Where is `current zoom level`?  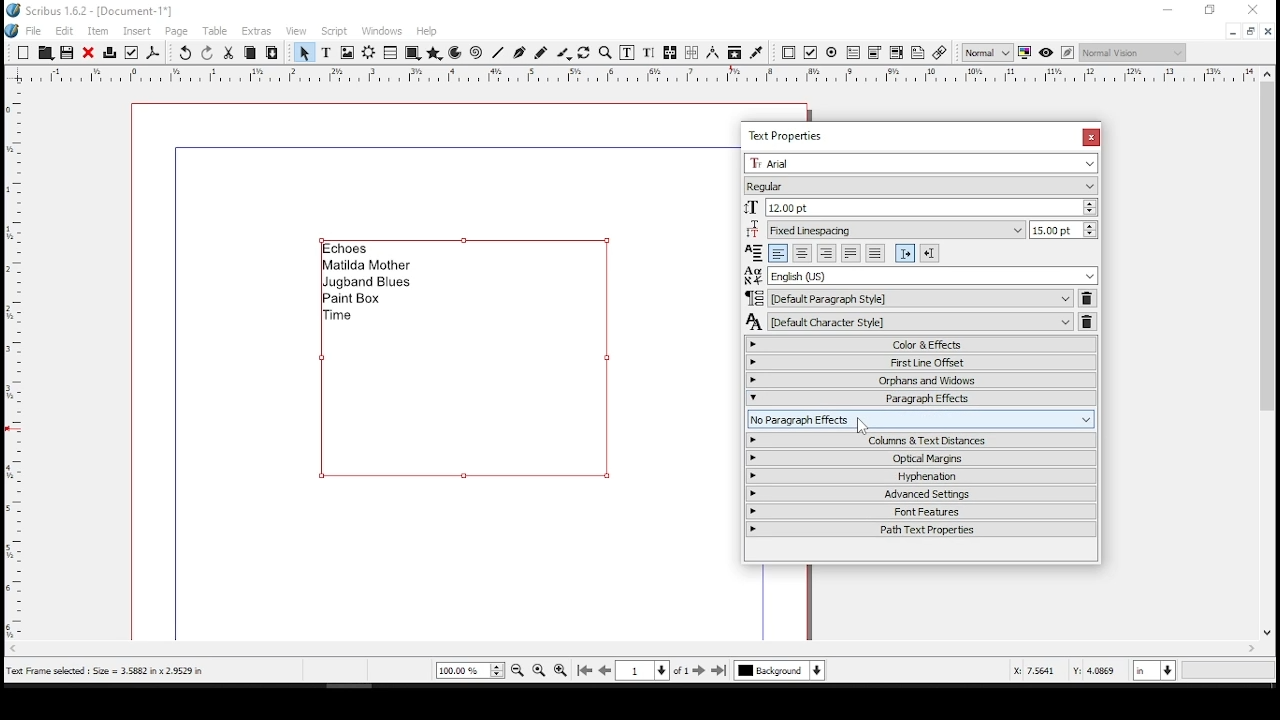
current zoom level is located at coordinates (470, 670).